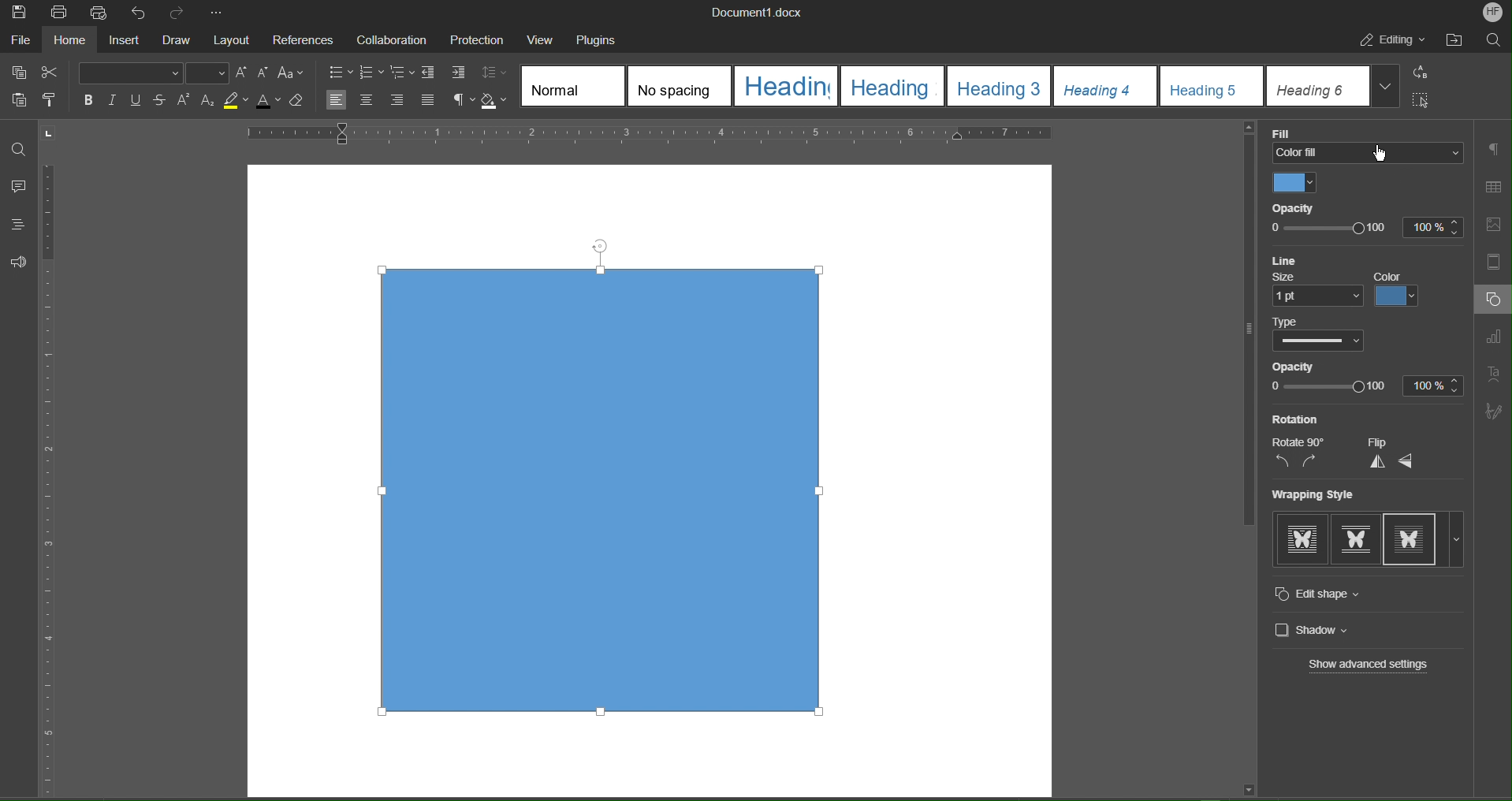  What do you see at coordinates (1281, 463) in the screenshot?
I see `Rotate CCW` at bounding box center [1281, 463].